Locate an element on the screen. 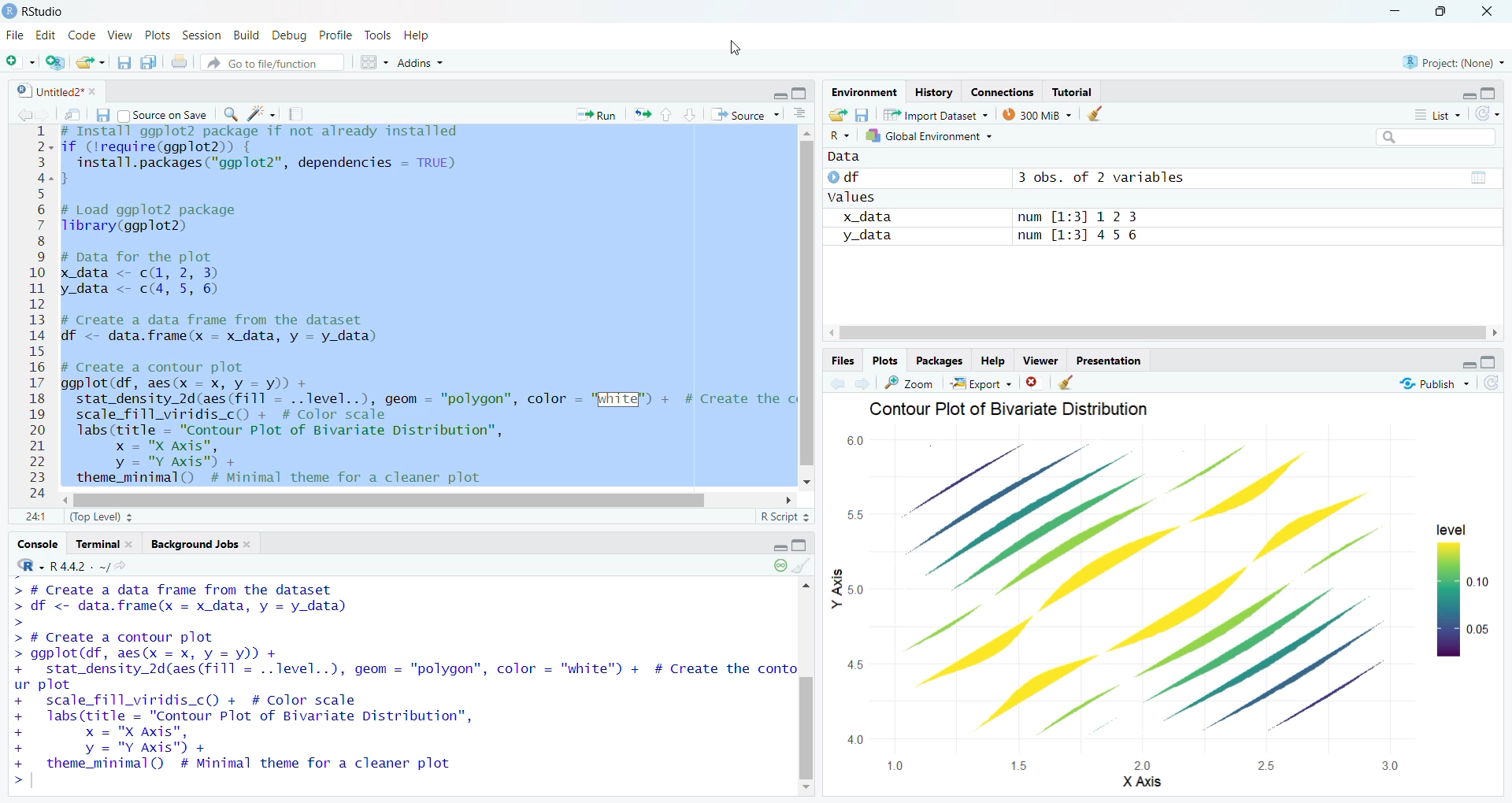 The height and width of the screenshot is (803, 1512). Tools is located at coordinates (377, 36).